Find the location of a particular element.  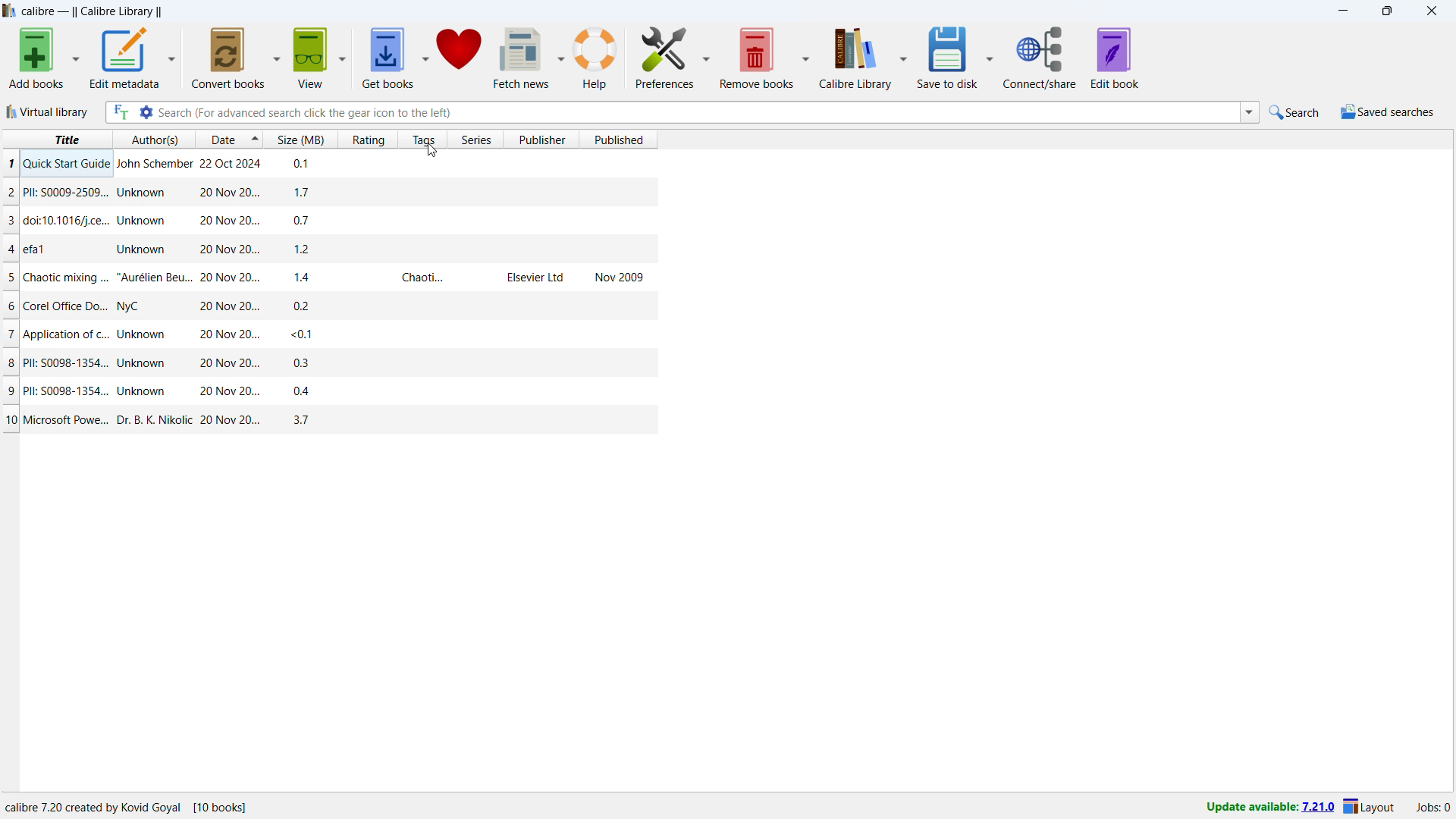

fetch news options is located at coordinates (561, 57).